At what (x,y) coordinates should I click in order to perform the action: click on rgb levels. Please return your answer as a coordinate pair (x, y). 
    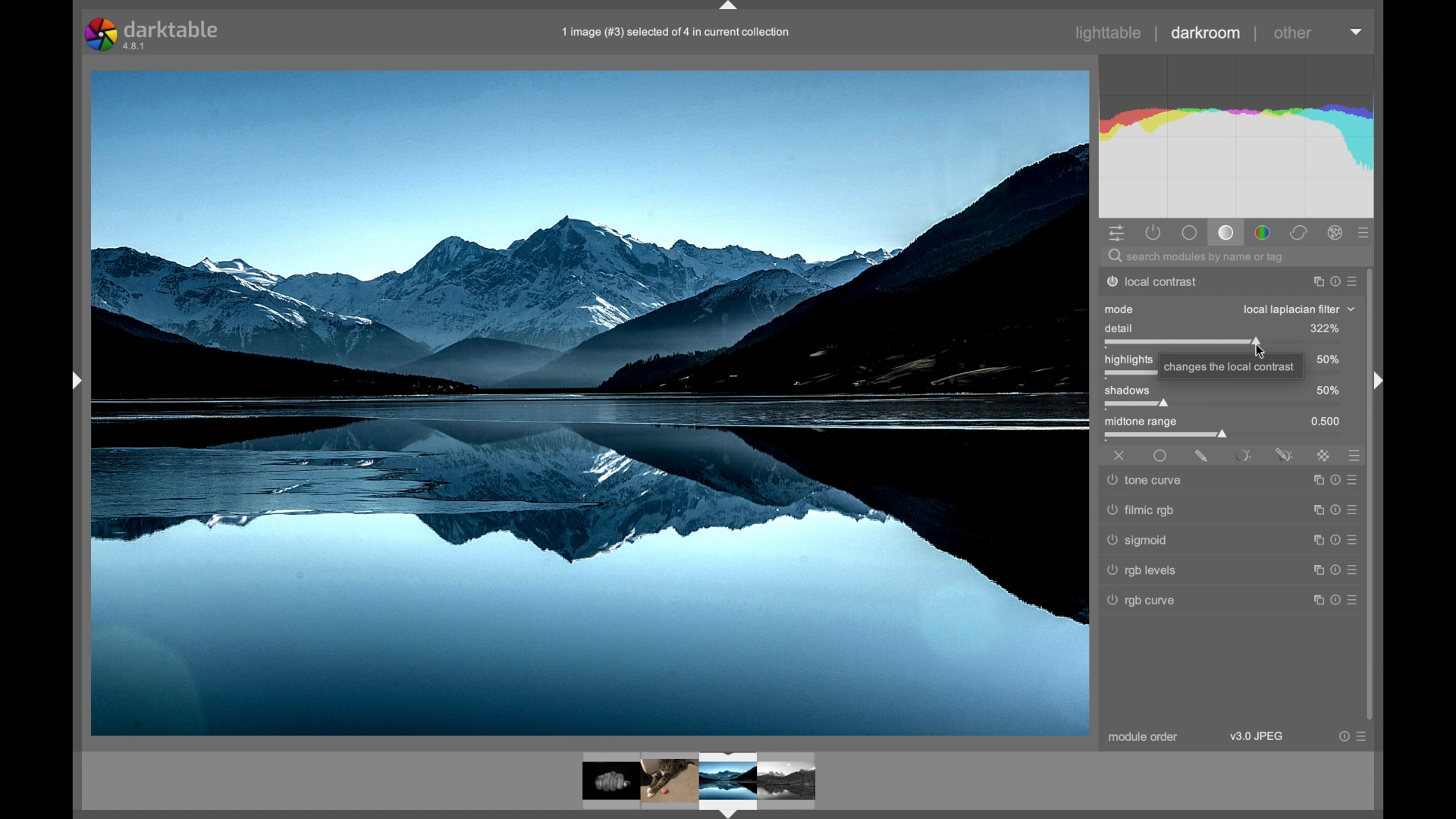
    Looking at the image, I should click on (1141, 570).